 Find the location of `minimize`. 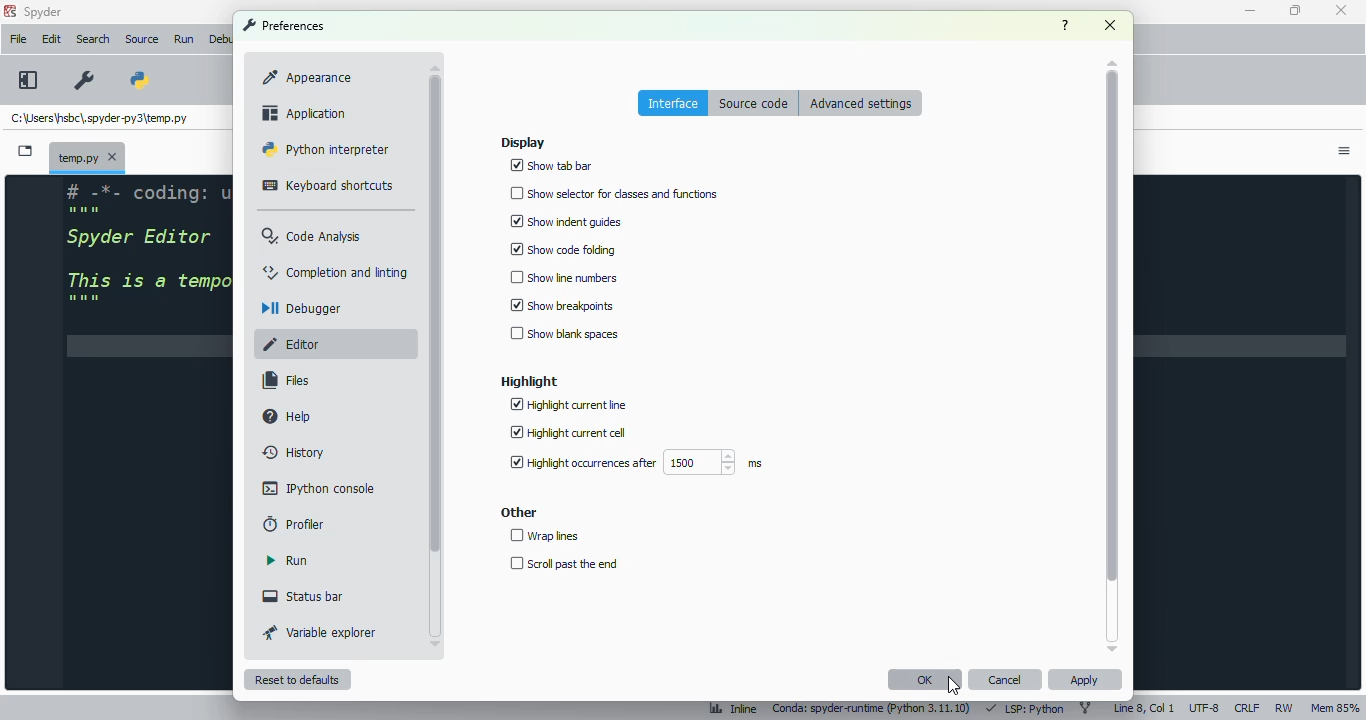

minimize is located at coordinates (1252, 11).